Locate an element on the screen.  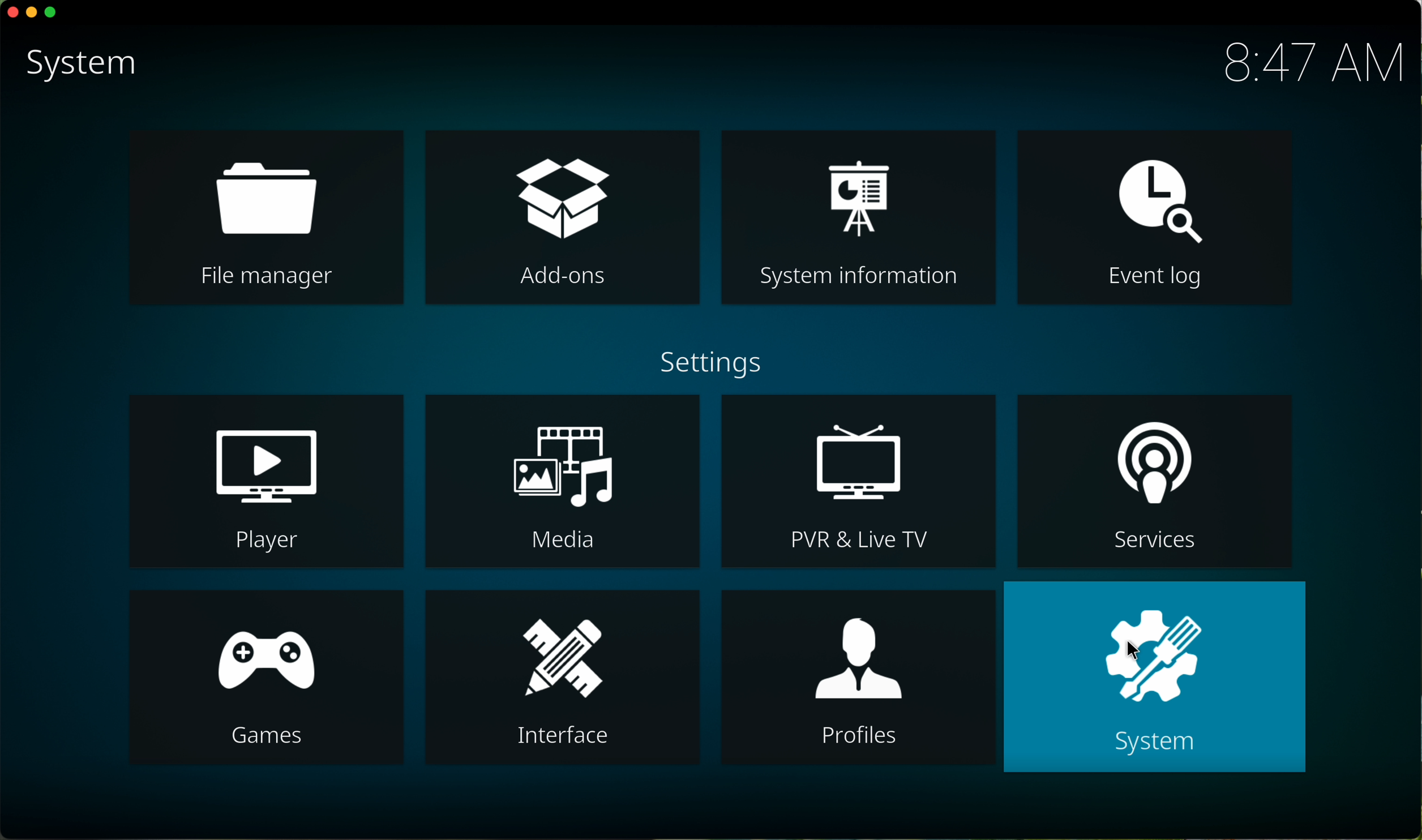
cursor is located at coordinates (1134, 650).